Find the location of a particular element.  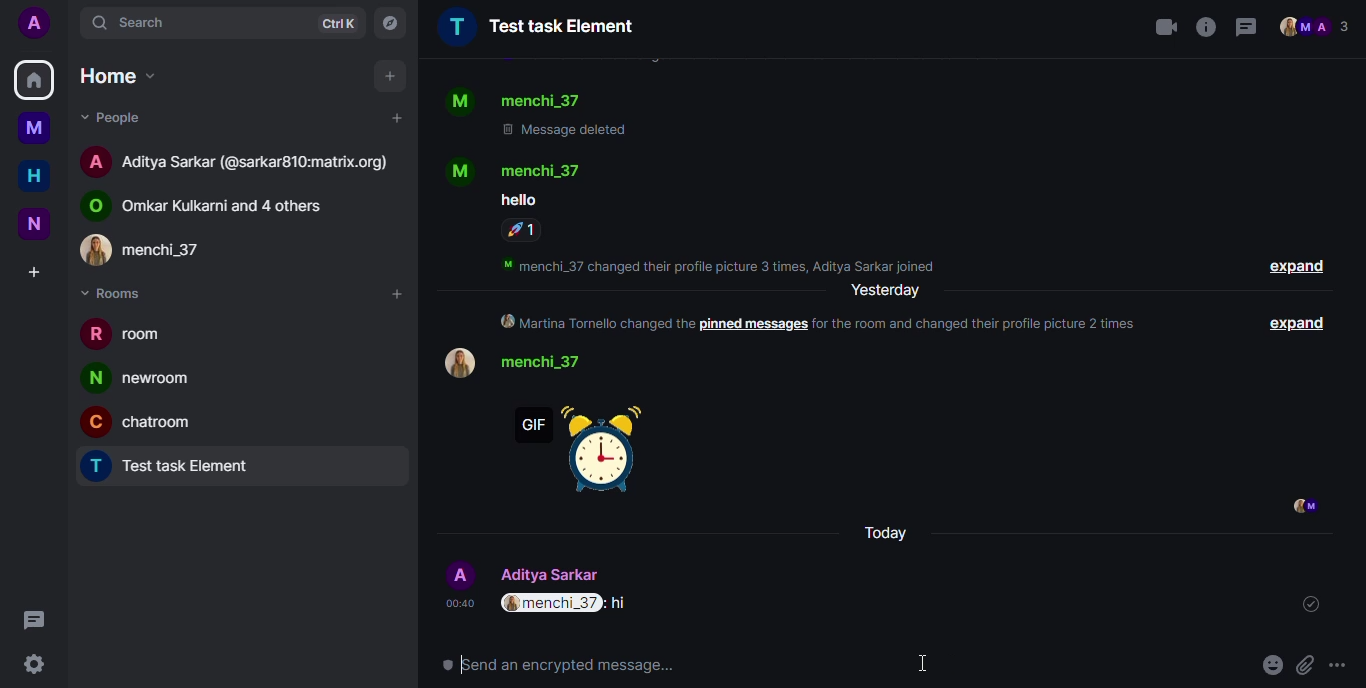

cursor is located at coordinates (923, 664).